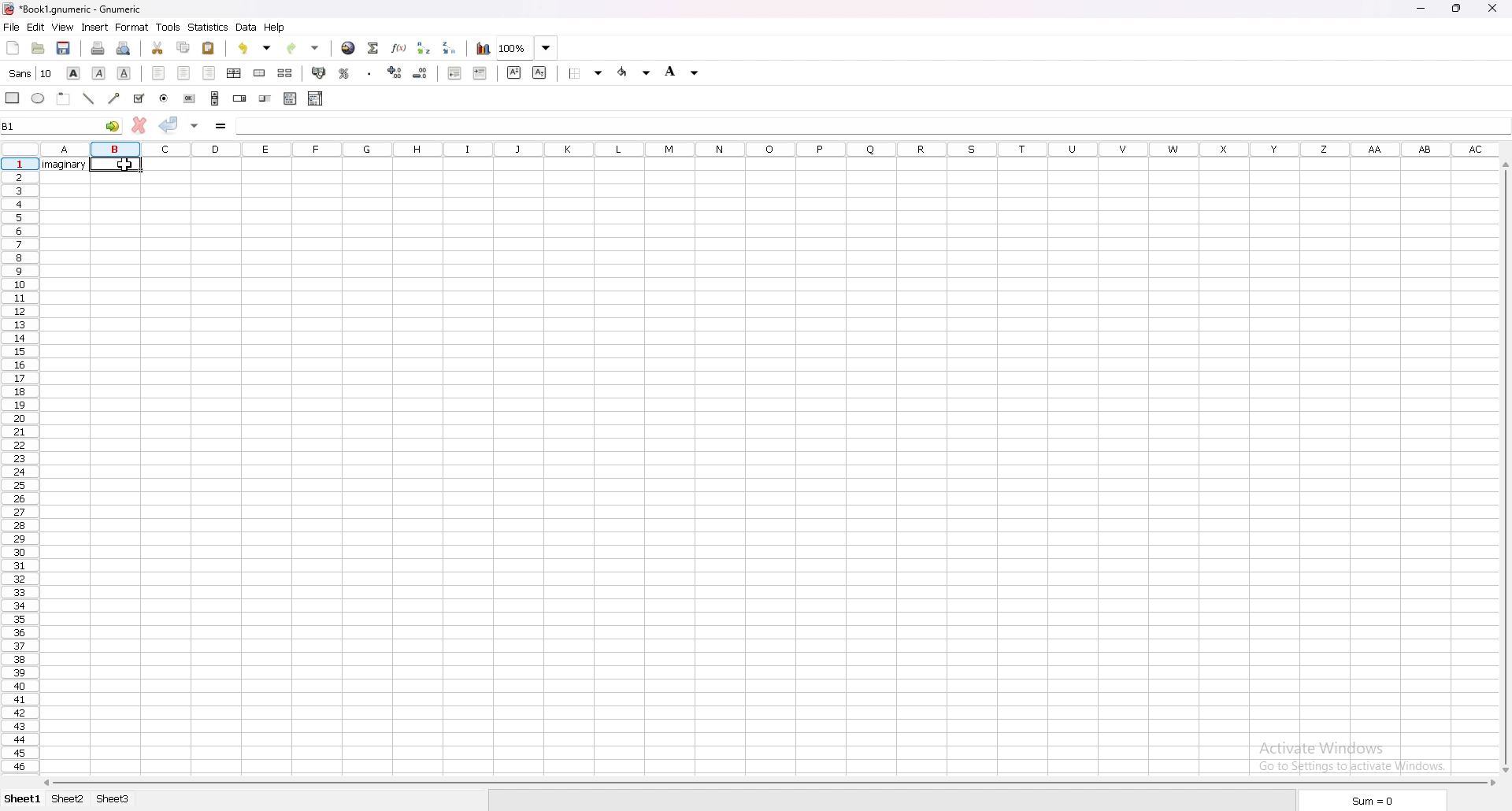 The height and width of the screenshot is (811, 1512). What do you see at coordinates (771, 783) in the screenshot?
I see `scroll bar` at bounding box center [771, 783].